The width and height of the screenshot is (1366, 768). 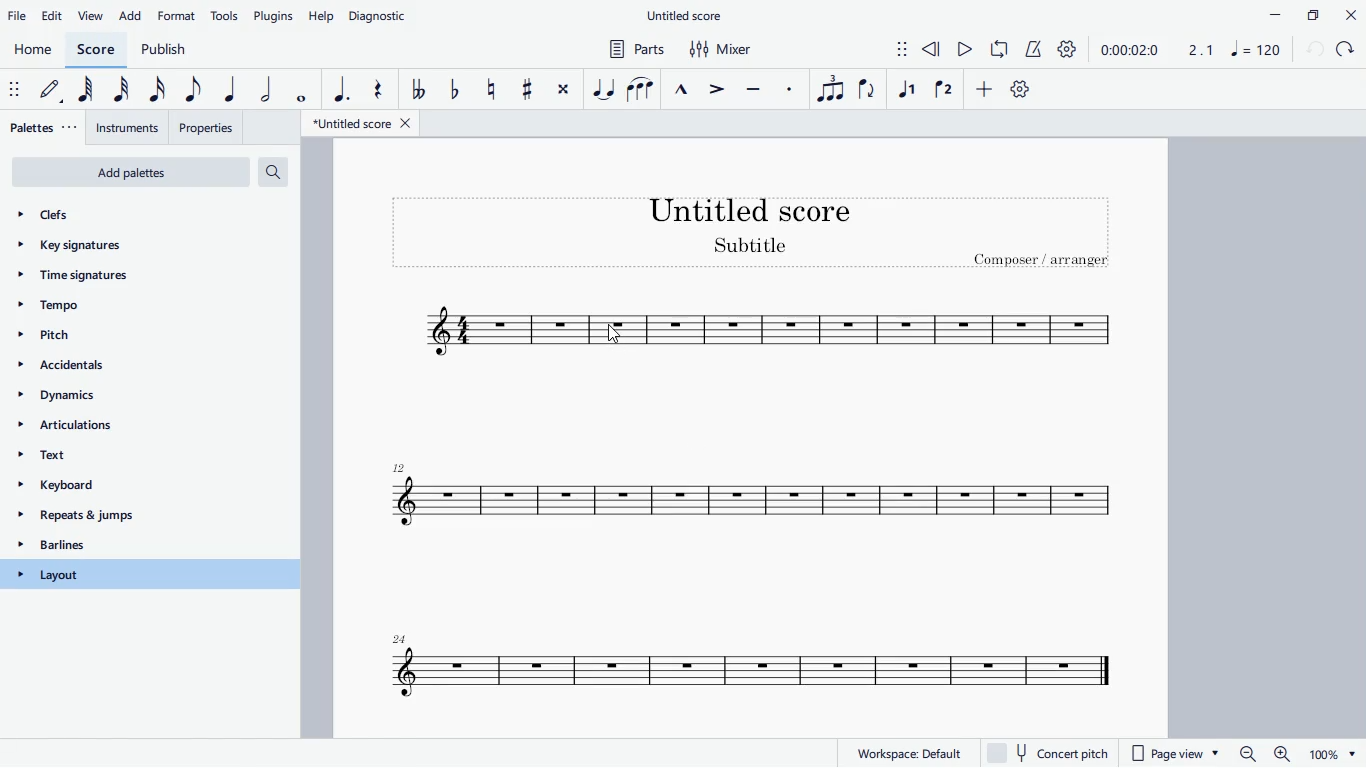 What do you see at coordinates (1035, 50) in the screenshot?
I see `metronome` at bounding box center [1035, 50].